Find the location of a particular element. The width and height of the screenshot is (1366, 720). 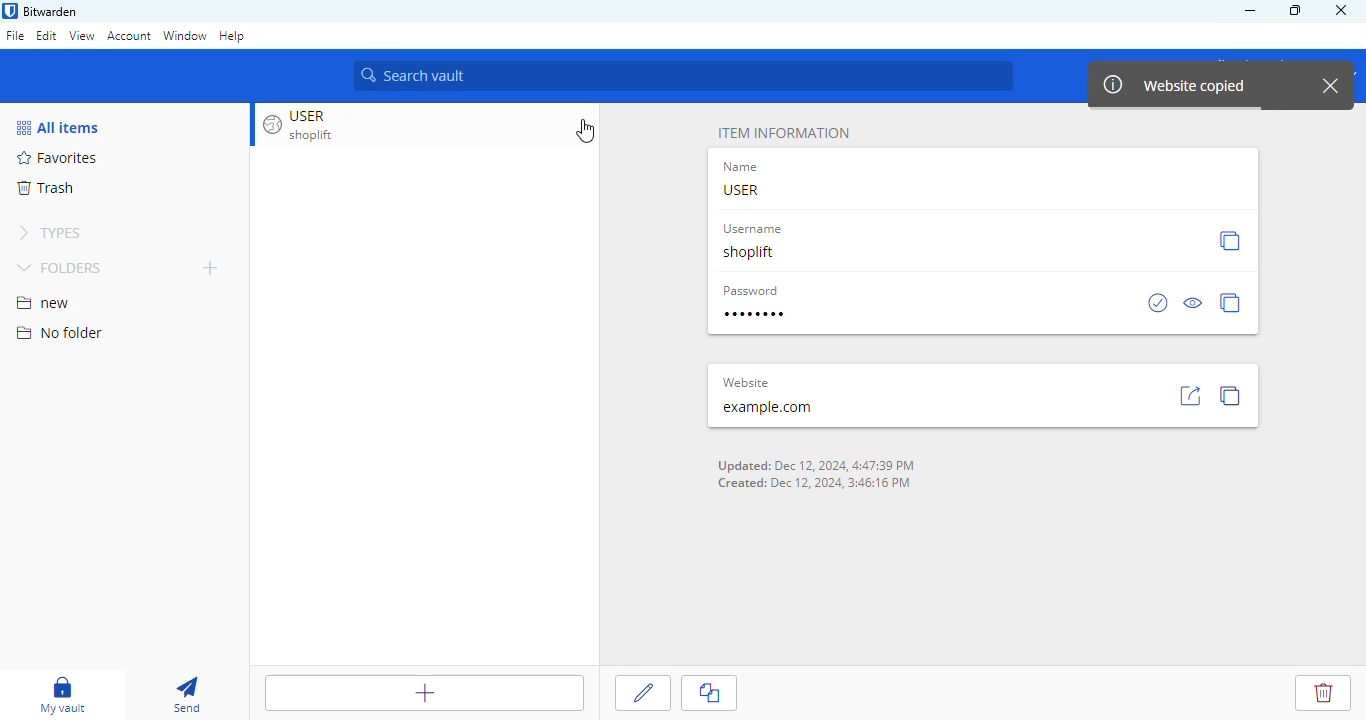

logo is located at coordinates (9, 11).